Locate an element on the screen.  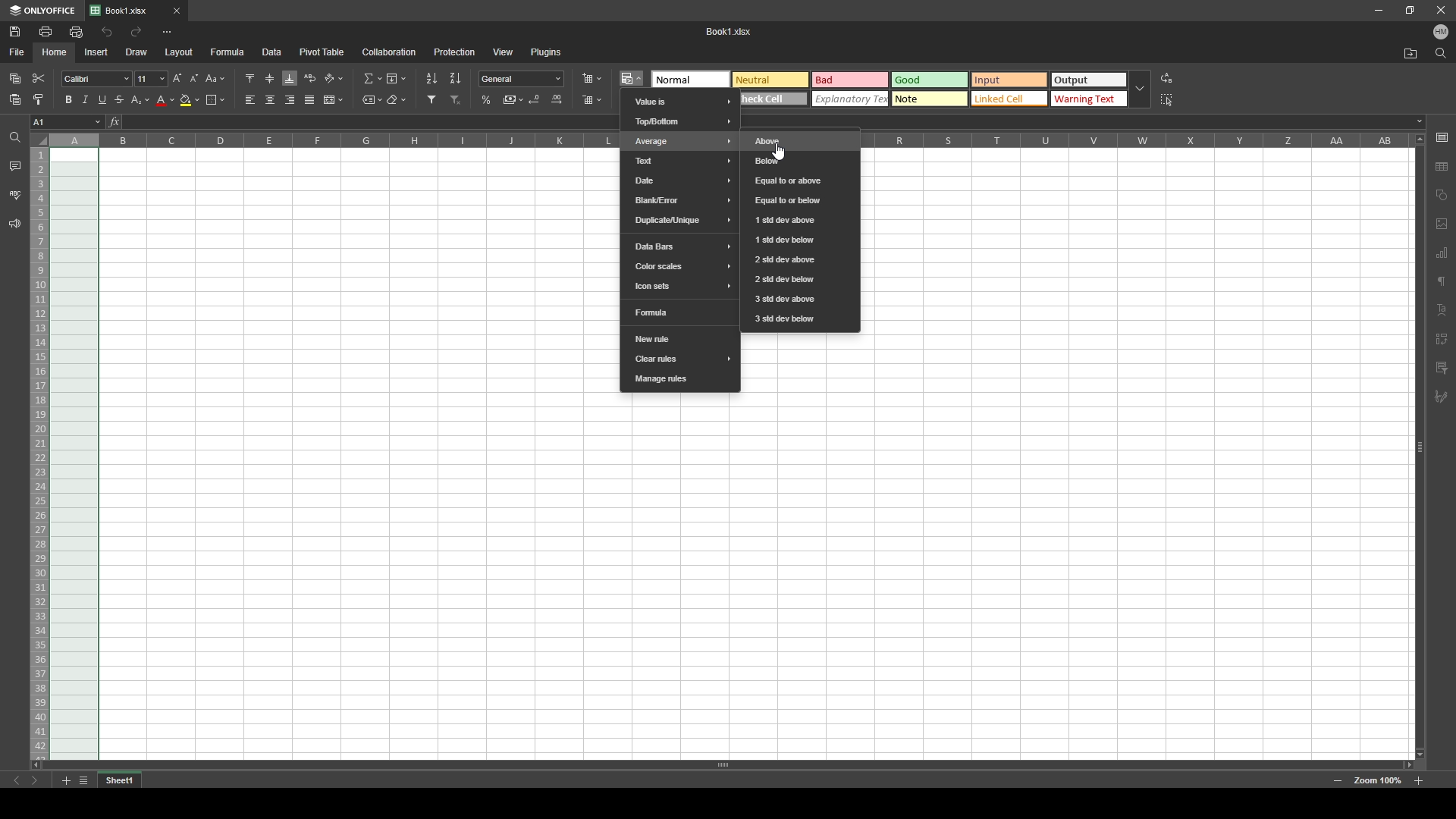
resize is located at coordinates (1410, 9).